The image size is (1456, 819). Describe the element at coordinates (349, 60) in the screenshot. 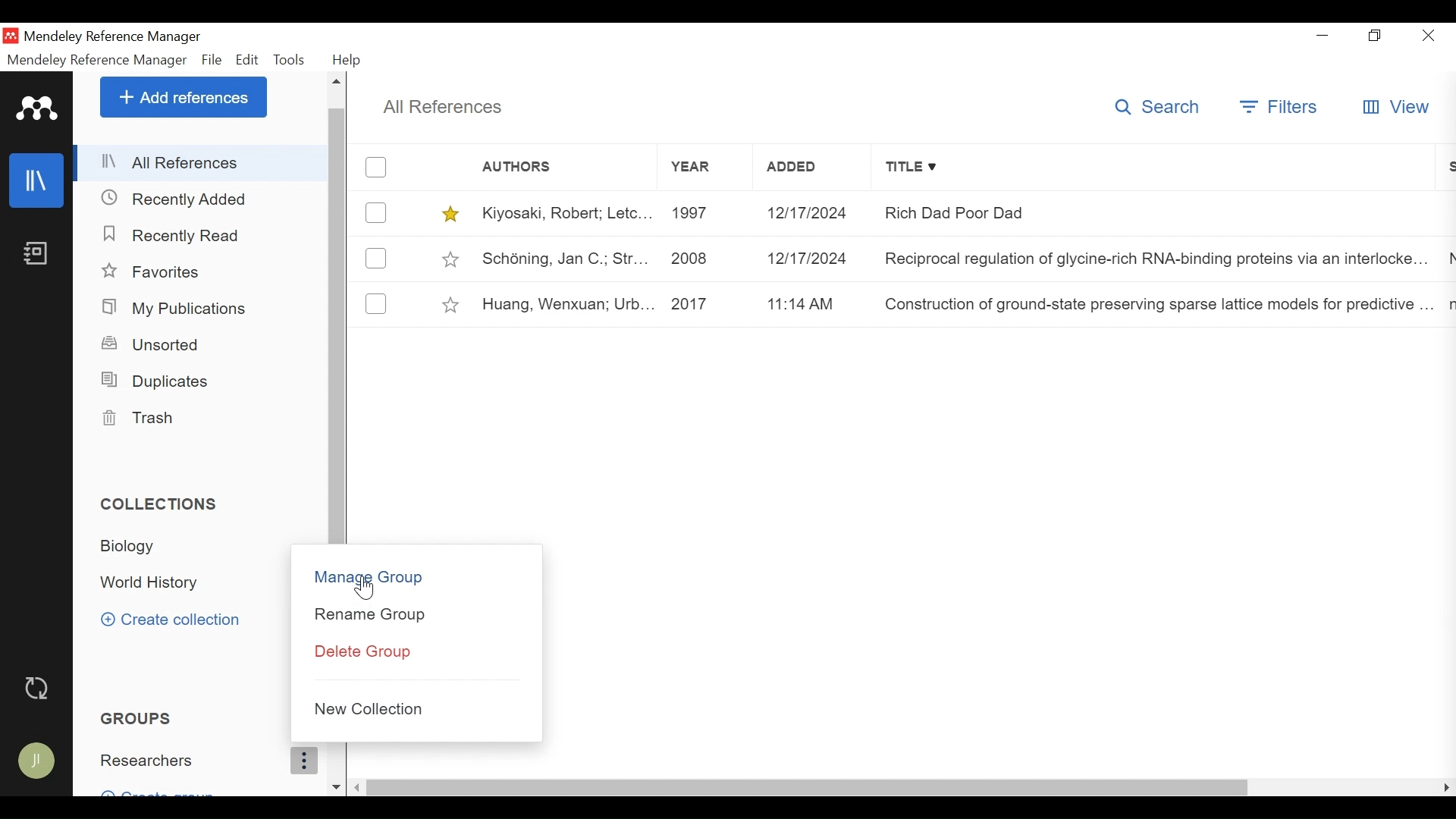

I see `Help` at that location.